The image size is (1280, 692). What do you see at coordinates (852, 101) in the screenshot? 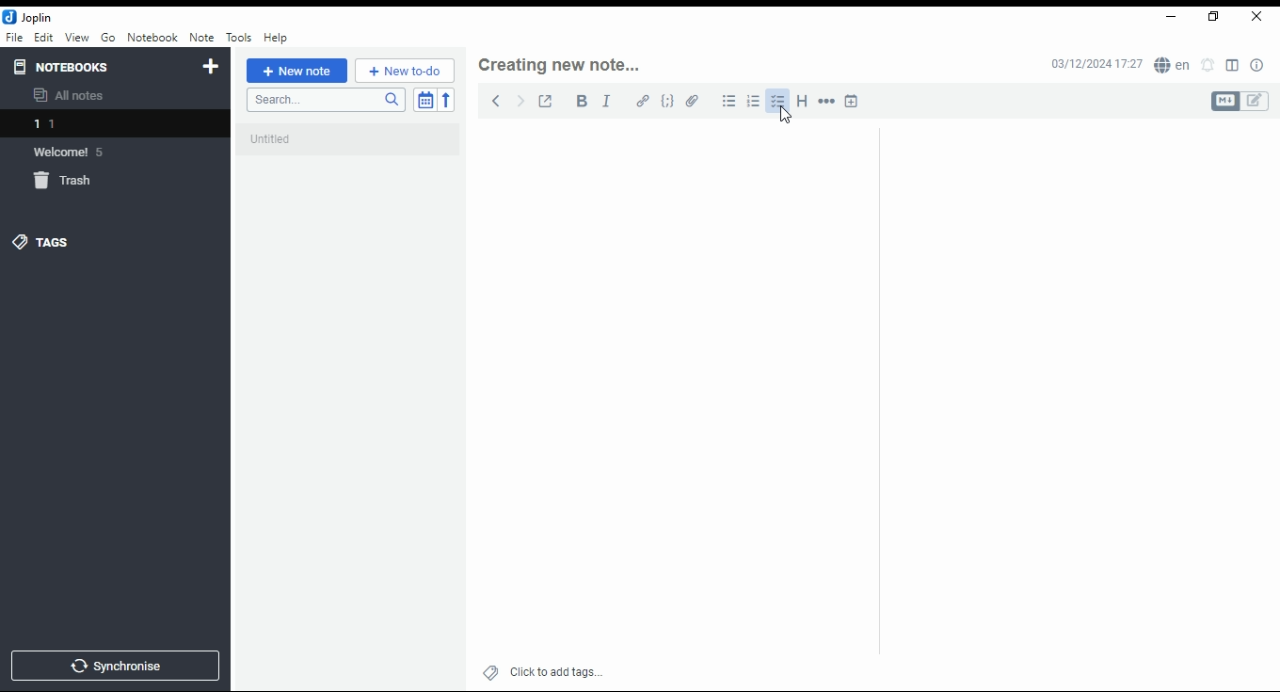
I see `insert time` at bounding box center [852, 101].